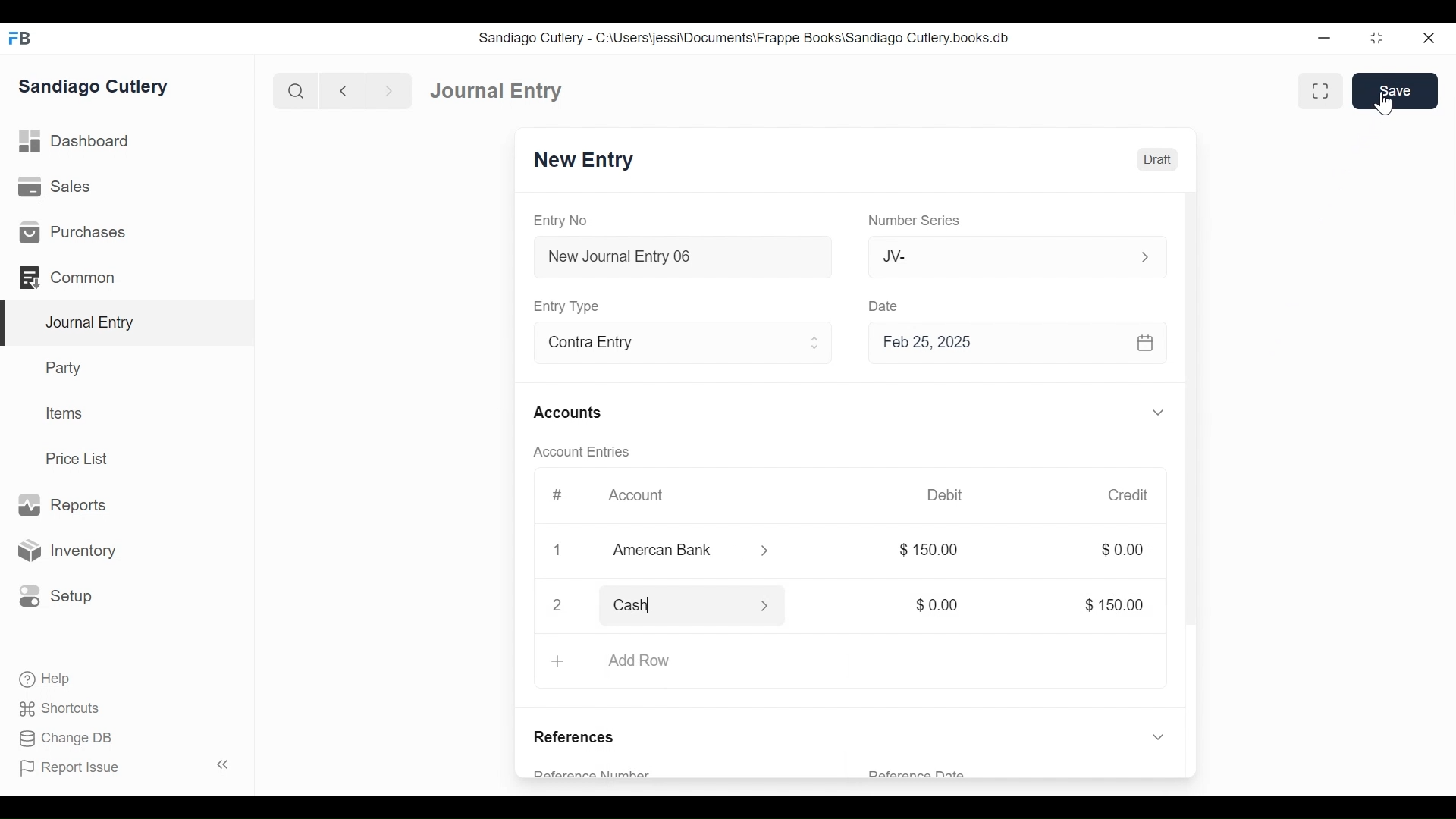 The height and width of the screenshot is (819, 1456). I want to click on $0.00, so click(938, 605).